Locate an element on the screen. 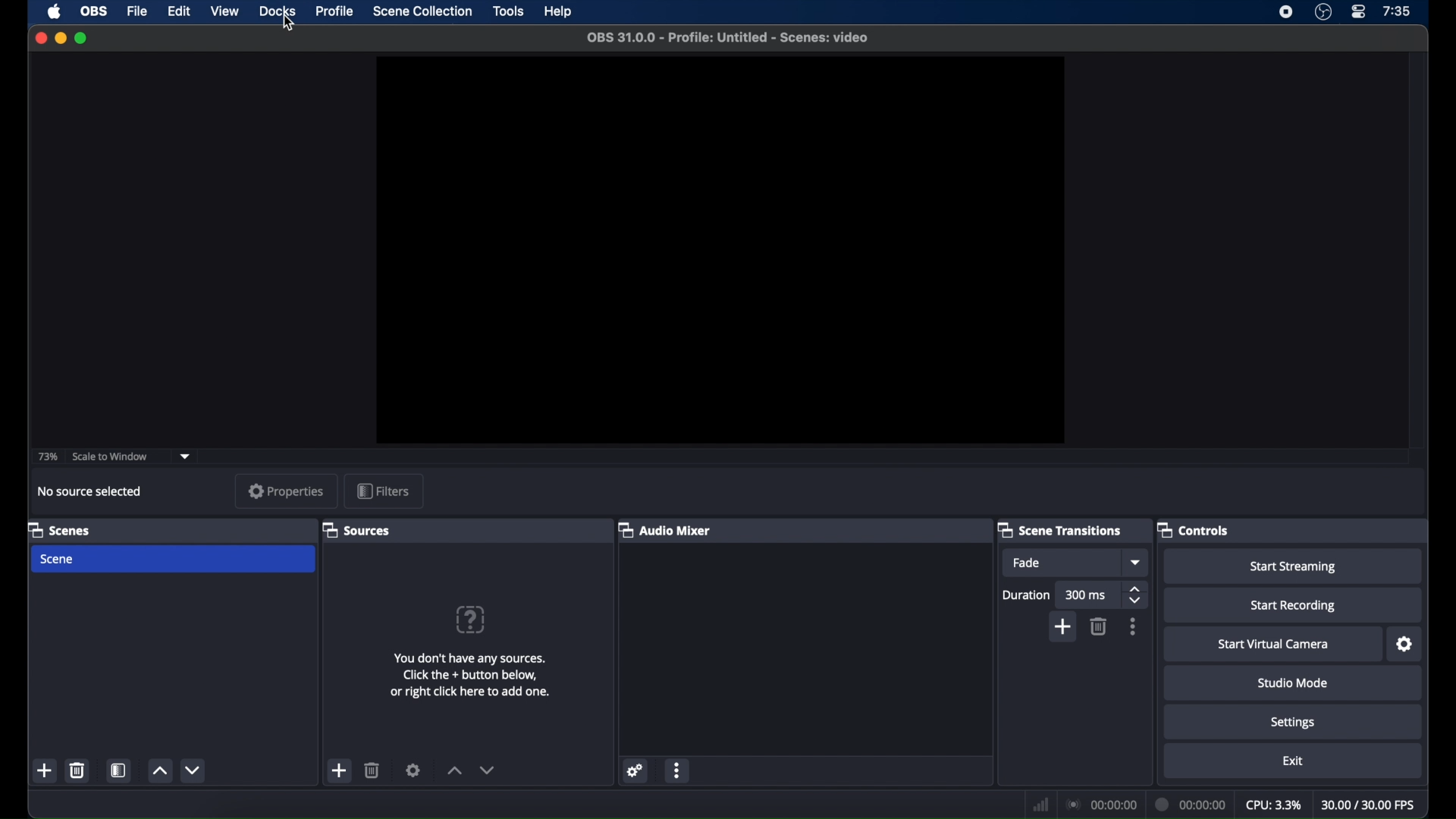  controls is located at coordinates (1194, 529).